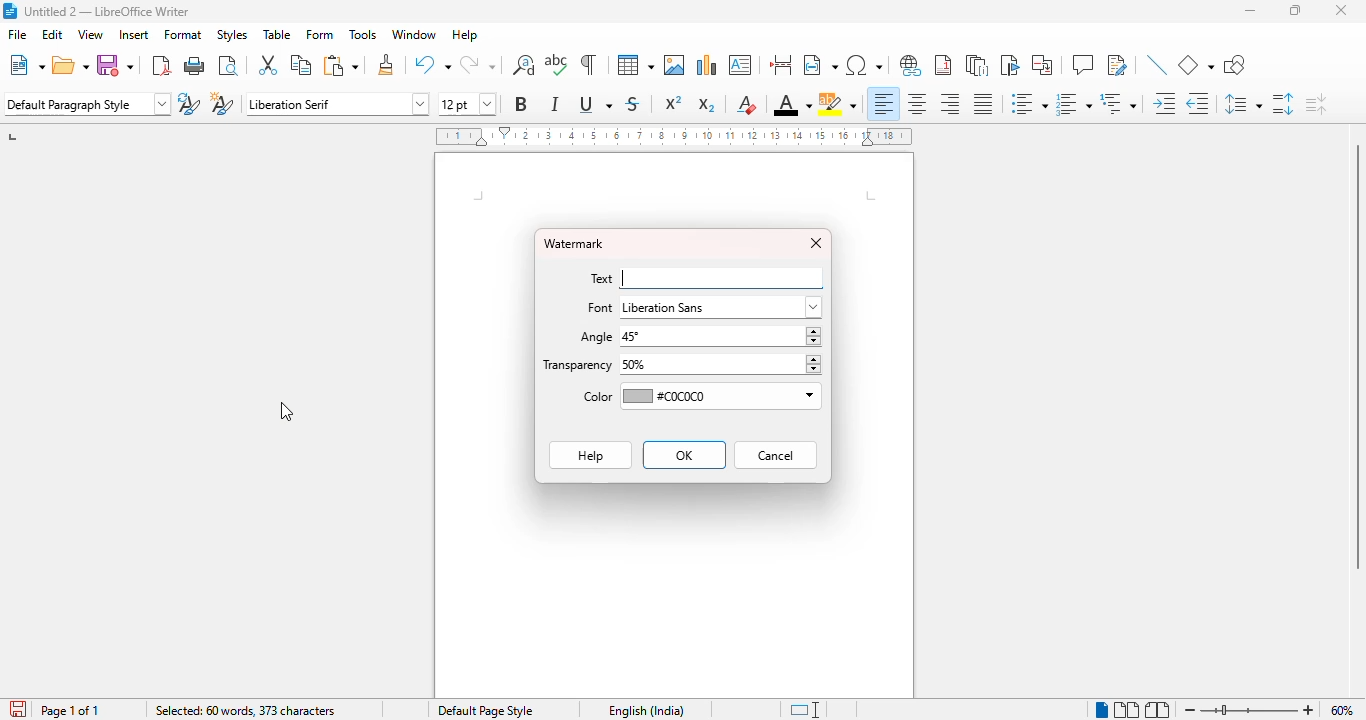 Image resolution: width=1366 pixels, height=720 pixels. I want to click on increase indent, so click(1165, 103).